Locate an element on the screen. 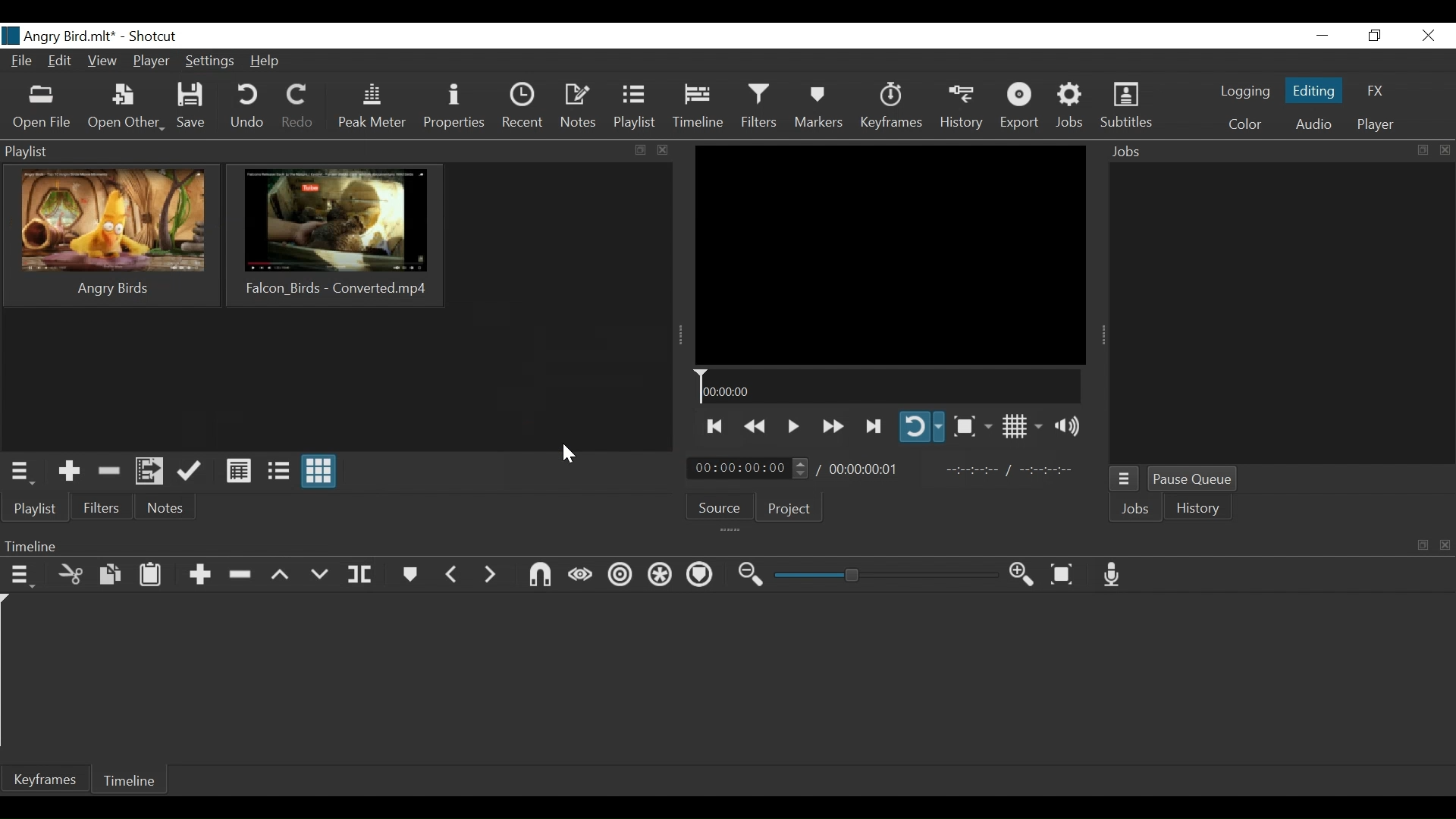 The image size is (1456, 819). Show volume control is located at coordinates (1065, 426).